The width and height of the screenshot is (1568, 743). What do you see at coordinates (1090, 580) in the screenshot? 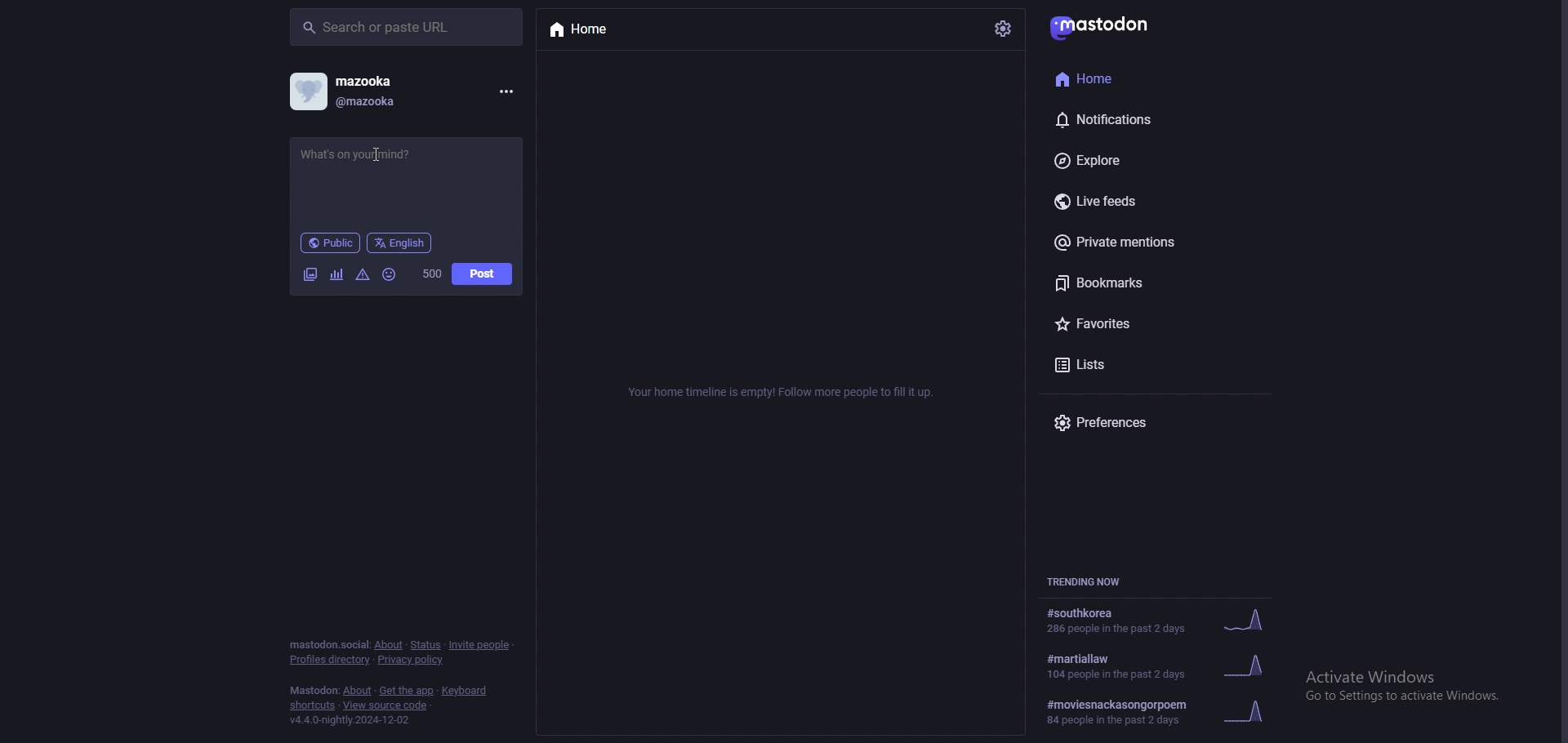
I see `trending now` at bounding box center [1090, 580].